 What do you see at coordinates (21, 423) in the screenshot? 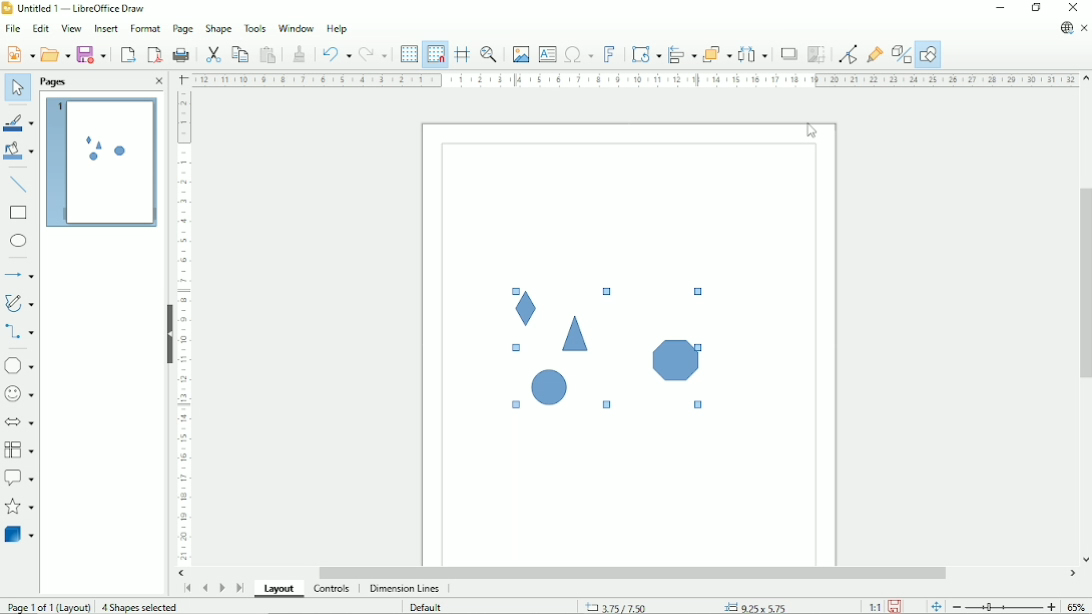
I see `Block arrows` at bounding box center [21, 423].